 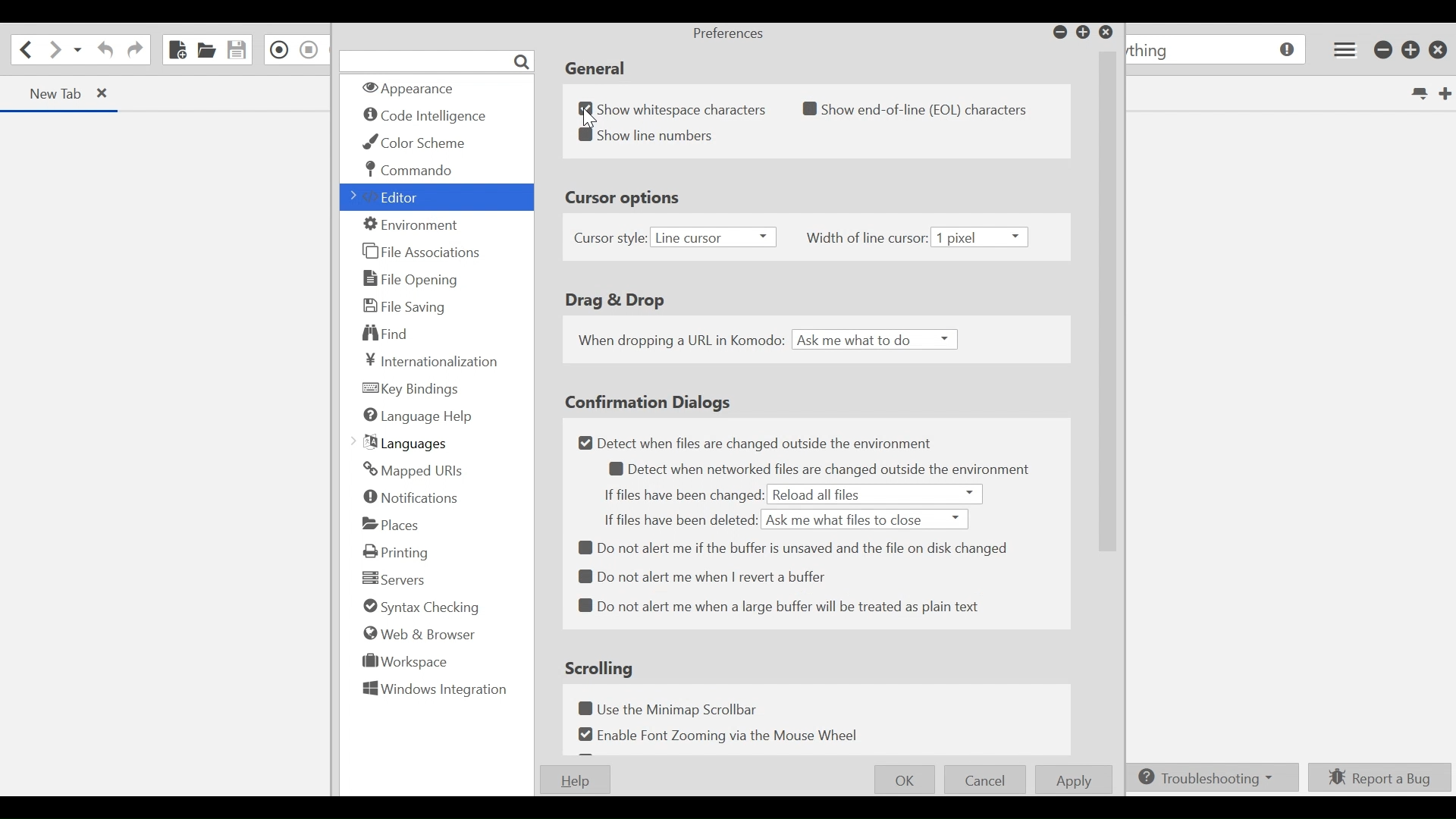 What do you see at coordinates (438, 61) in the screenshot?
I see `Search` at bounding box center [438, 61].